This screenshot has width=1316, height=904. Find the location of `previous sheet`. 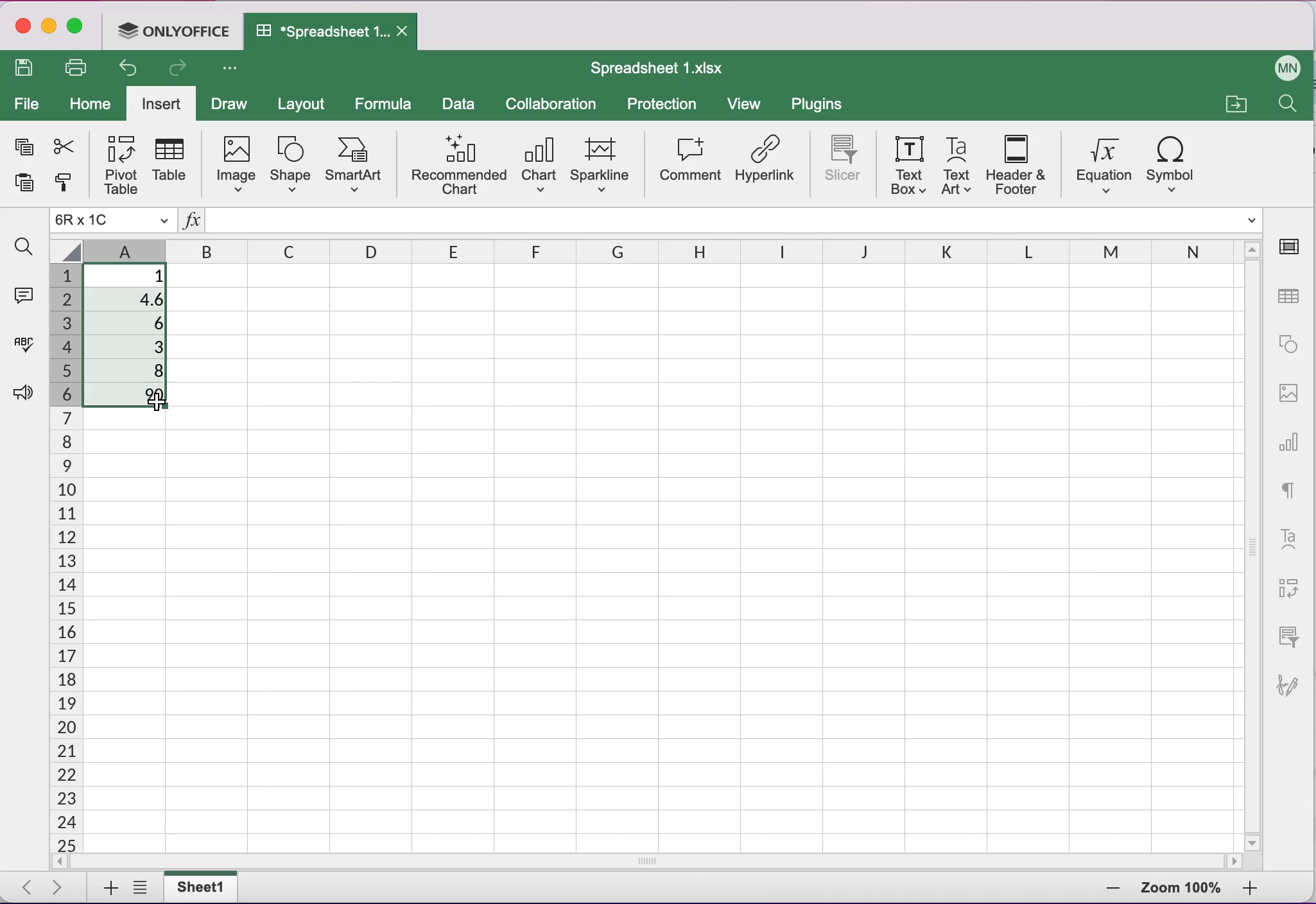

previous sheet is located at coordinates (30, 889).